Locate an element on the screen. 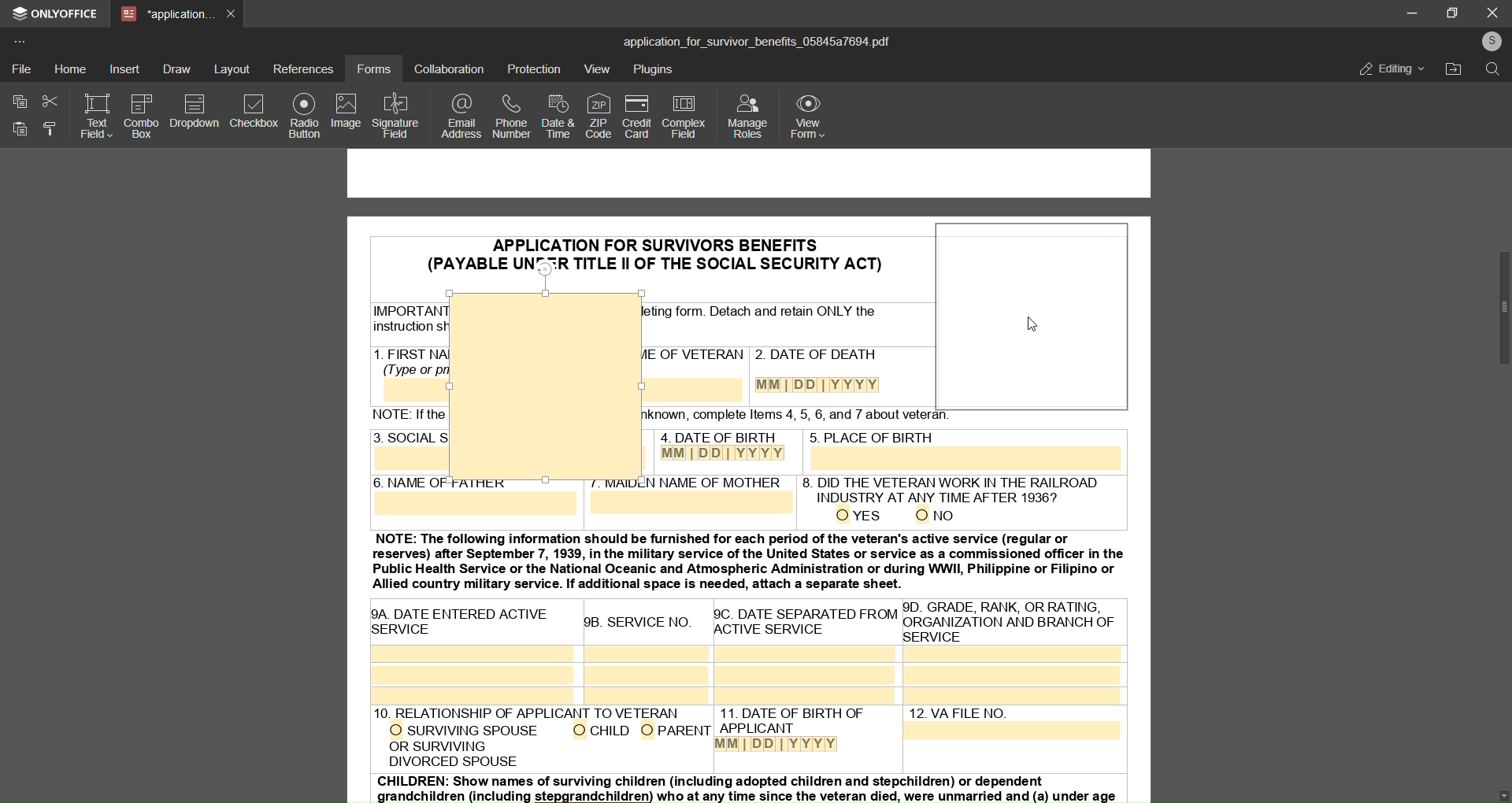  more is located at coordinates (23, 40).